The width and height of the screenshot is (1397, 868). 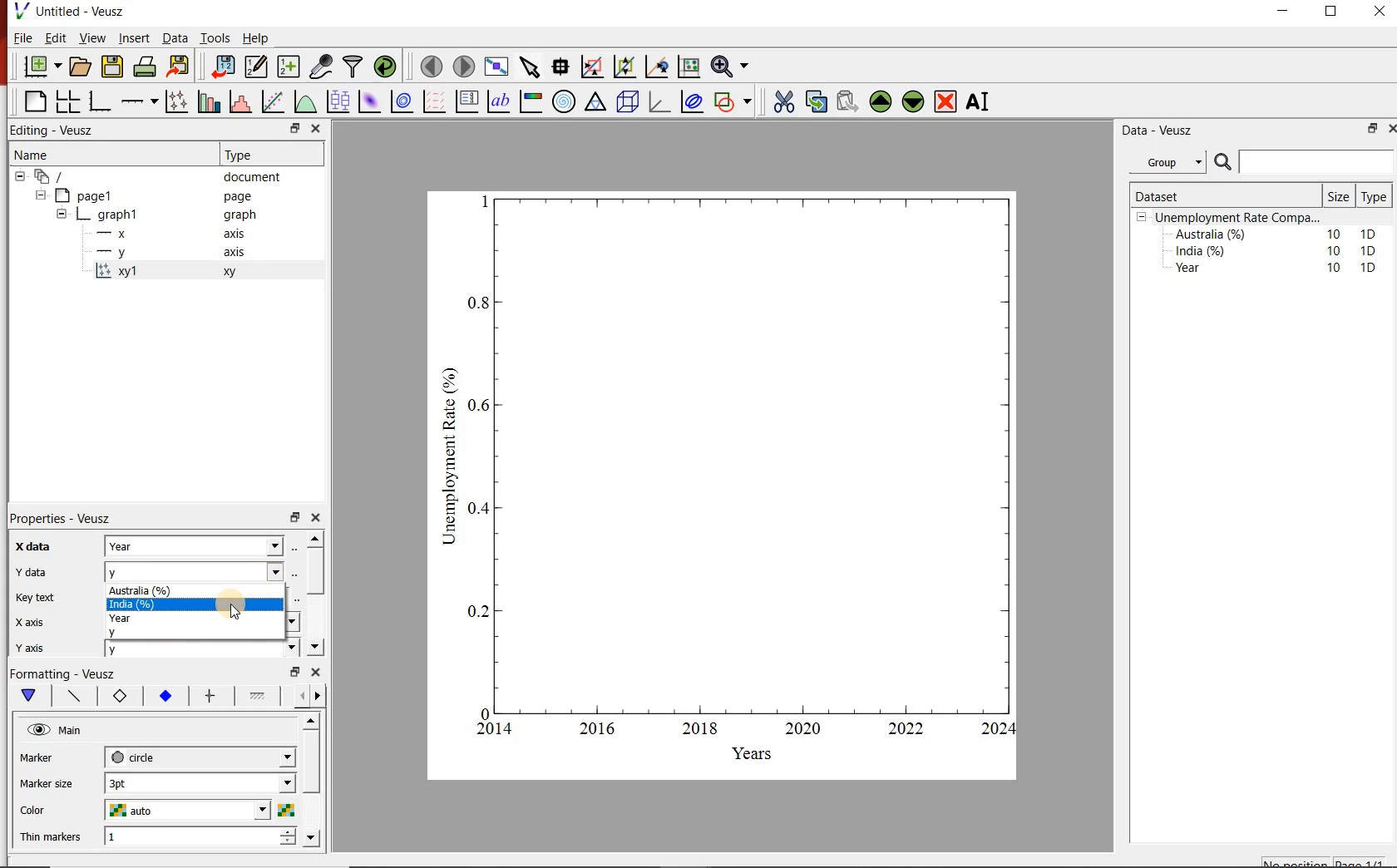 I want to click on x axis, so click(x=178, y=233).